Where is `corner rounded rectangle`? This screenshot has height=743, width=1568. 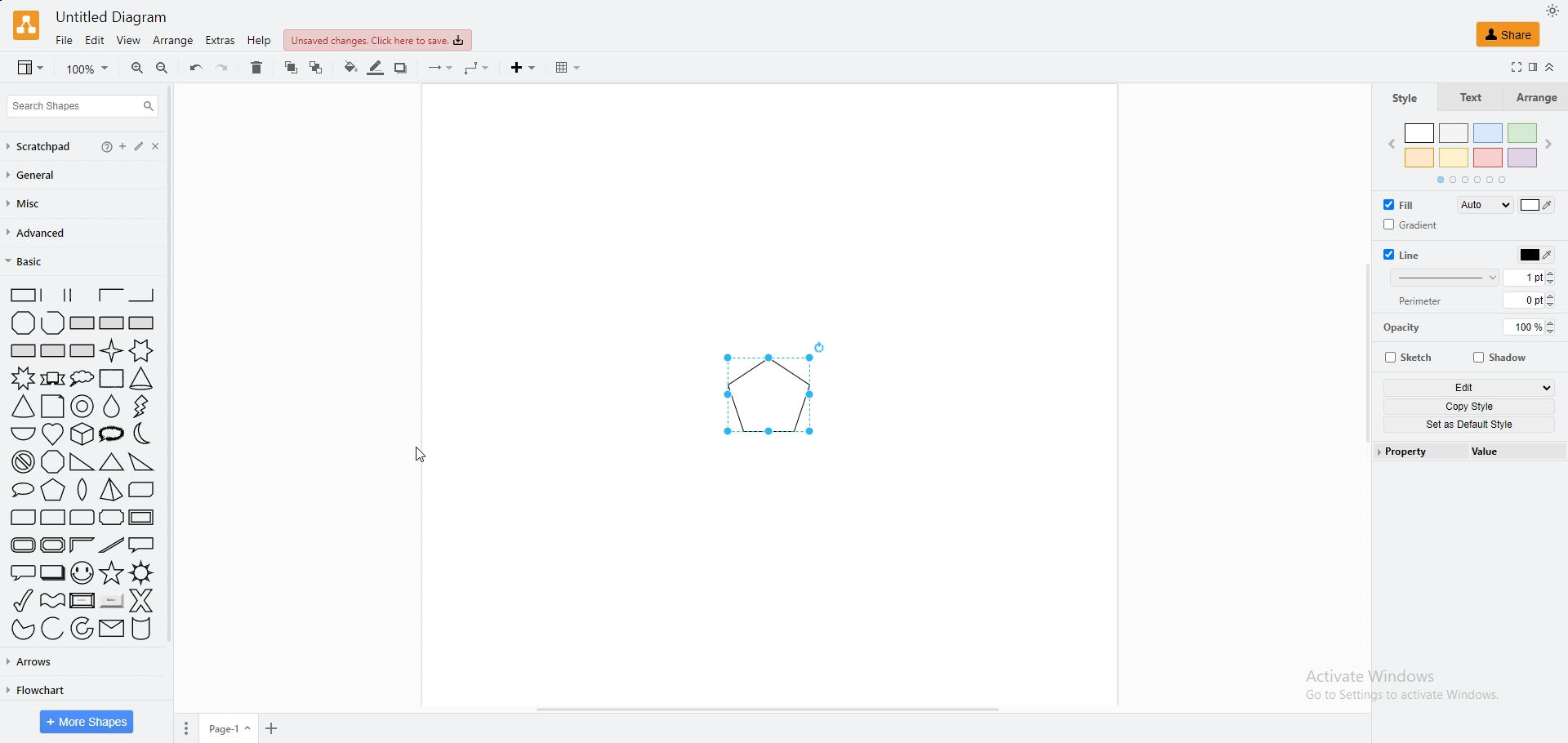
corner rounded rectangle is located at coordinates (53, 518).